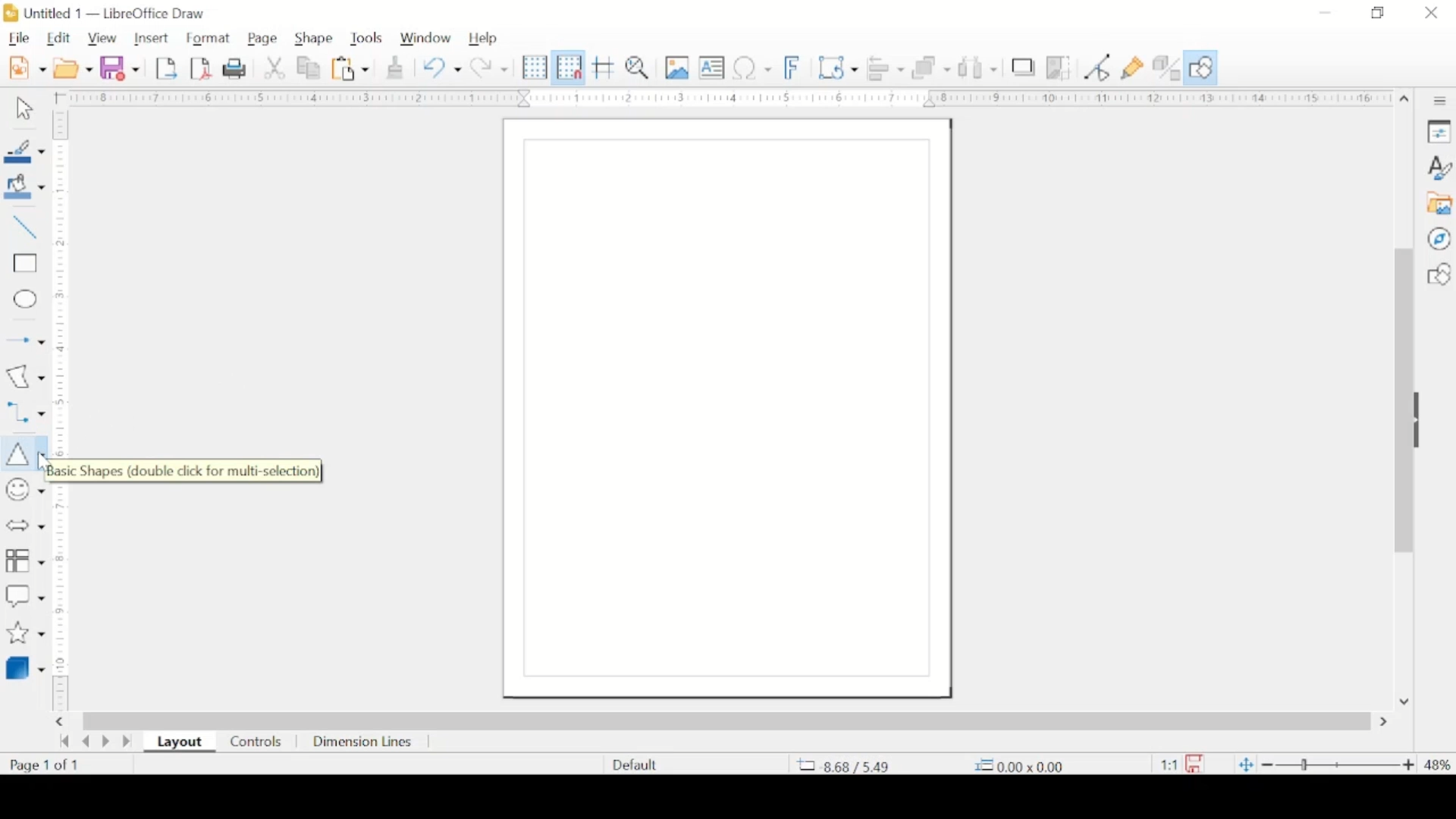 The width and height of the screenshot is (1456, 819). I want to click on help, so click(485, 39).